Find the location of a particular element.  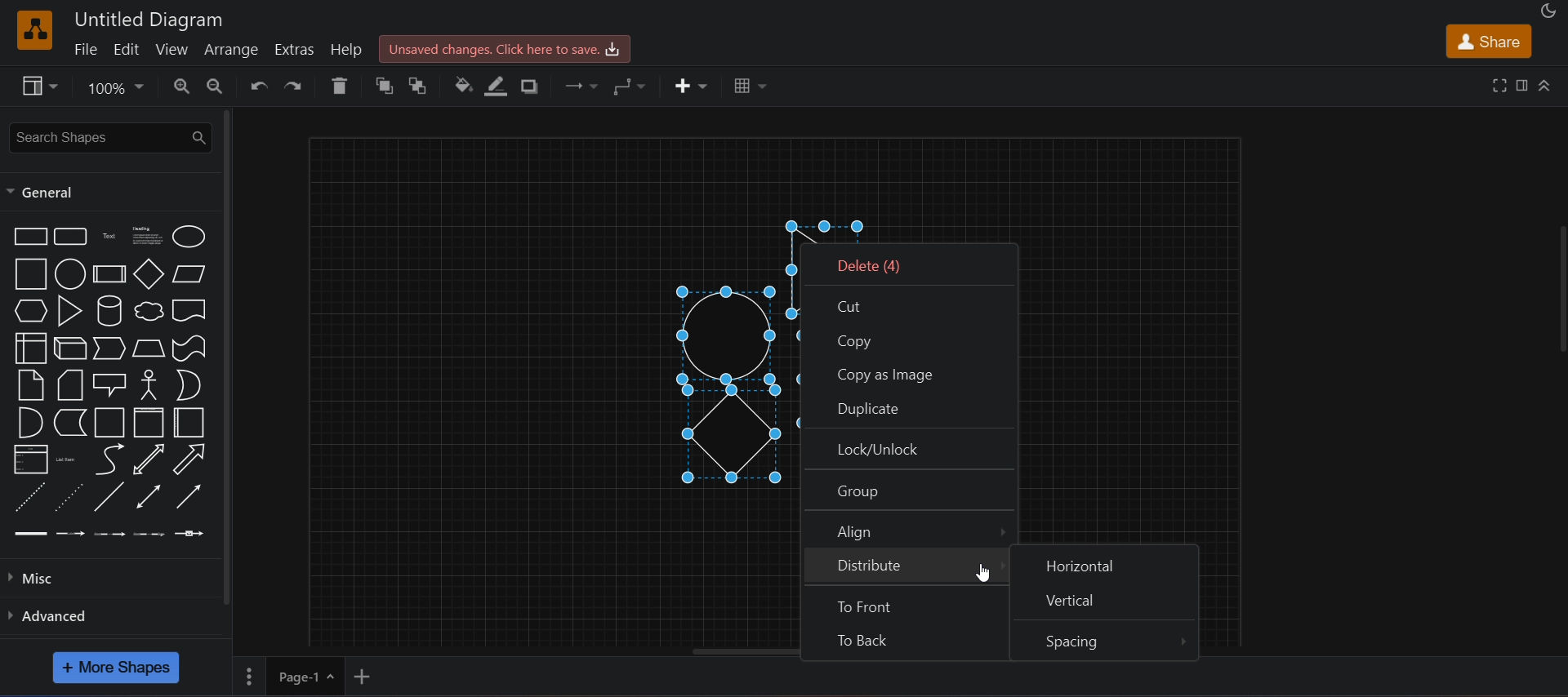

data storage is located at coordinates (71, 421).